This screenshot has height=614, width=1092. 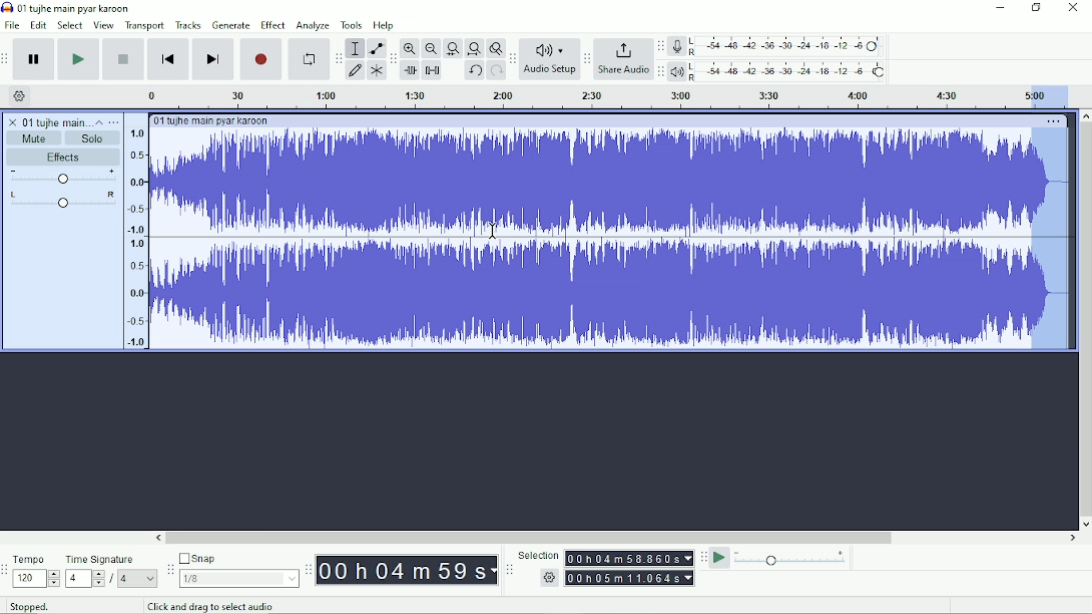 What do you see at coordinates (241, 578) in the screenshot?
I see `1/8` at bounding box center [241, 578].